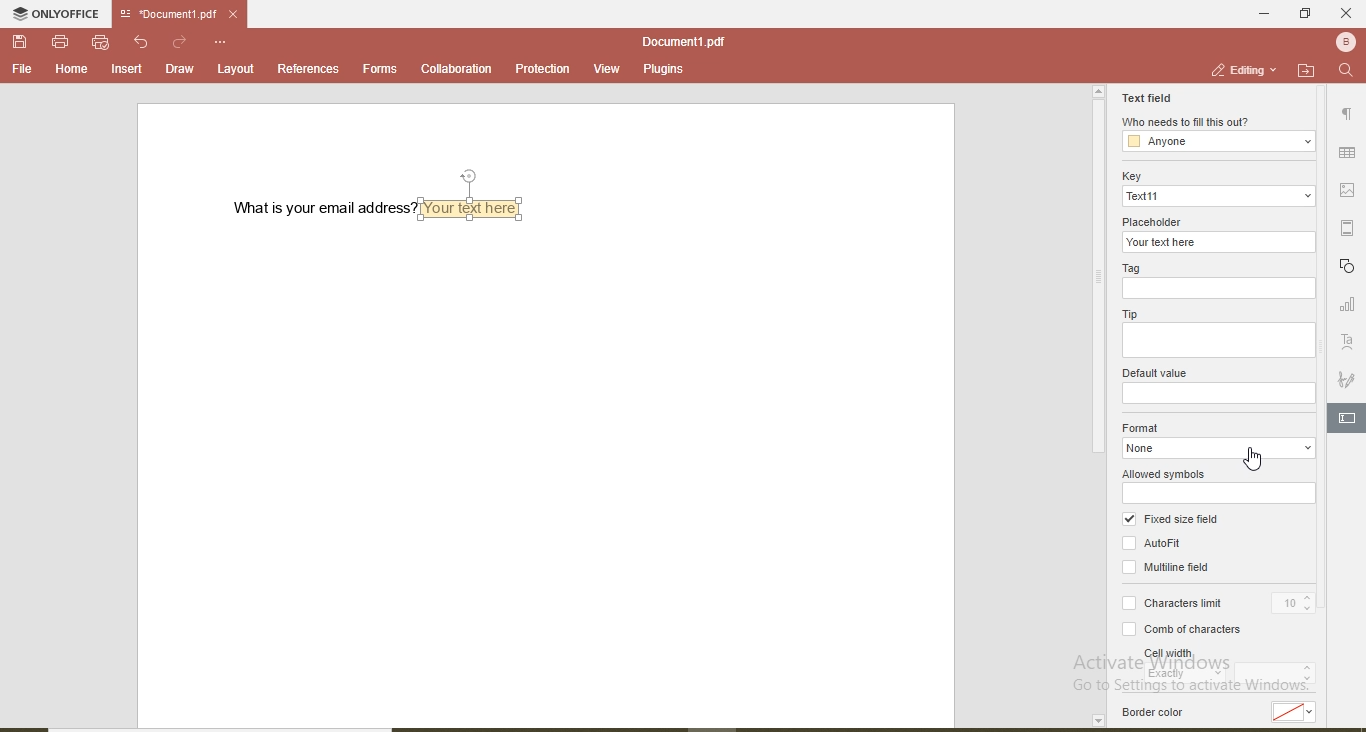 The image size is (1366, 732). I want to click on default value, so click(1153, 373).